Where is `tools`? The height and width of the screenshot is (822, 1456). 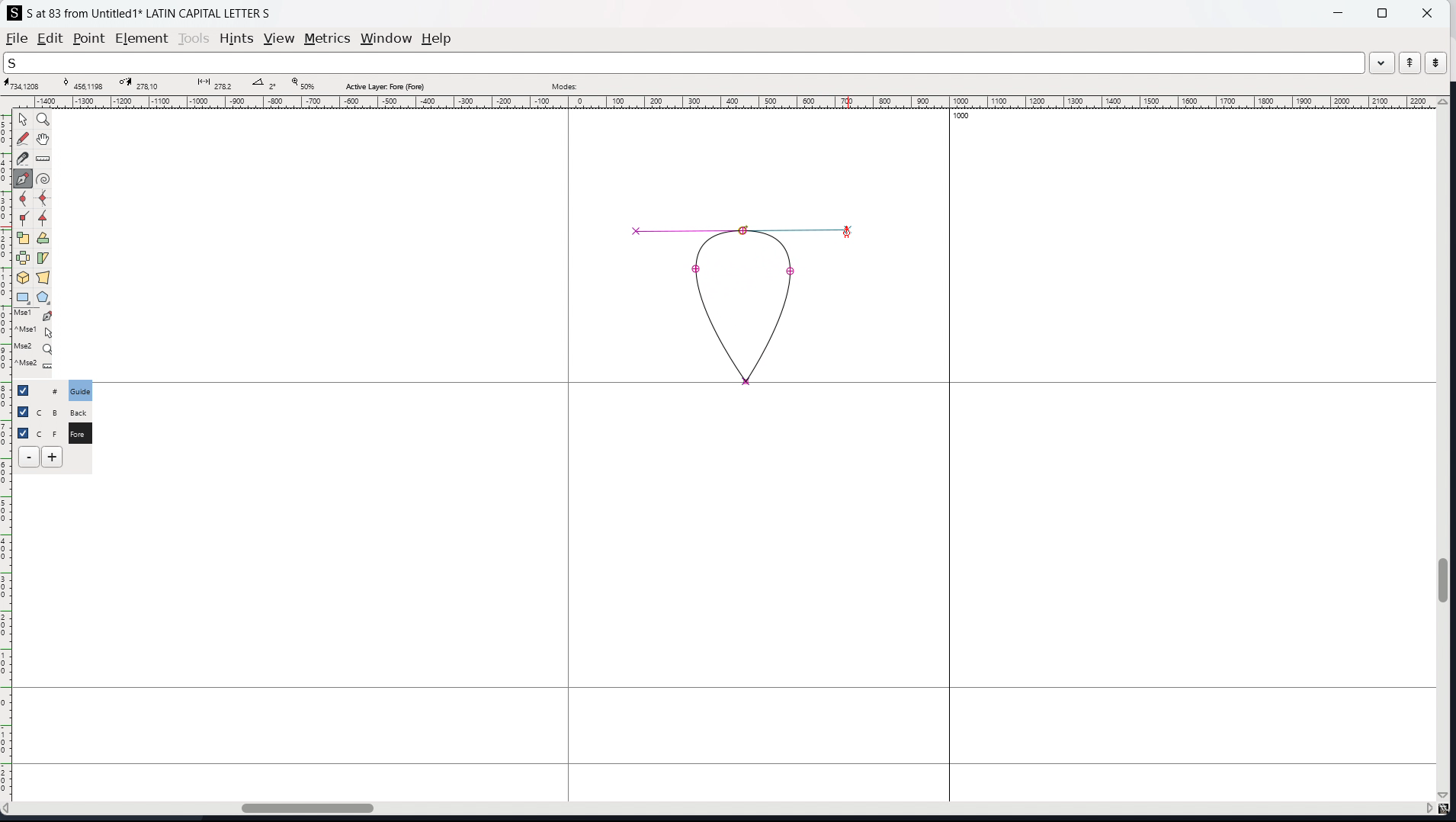 tools is located at coordinates (195, 38).